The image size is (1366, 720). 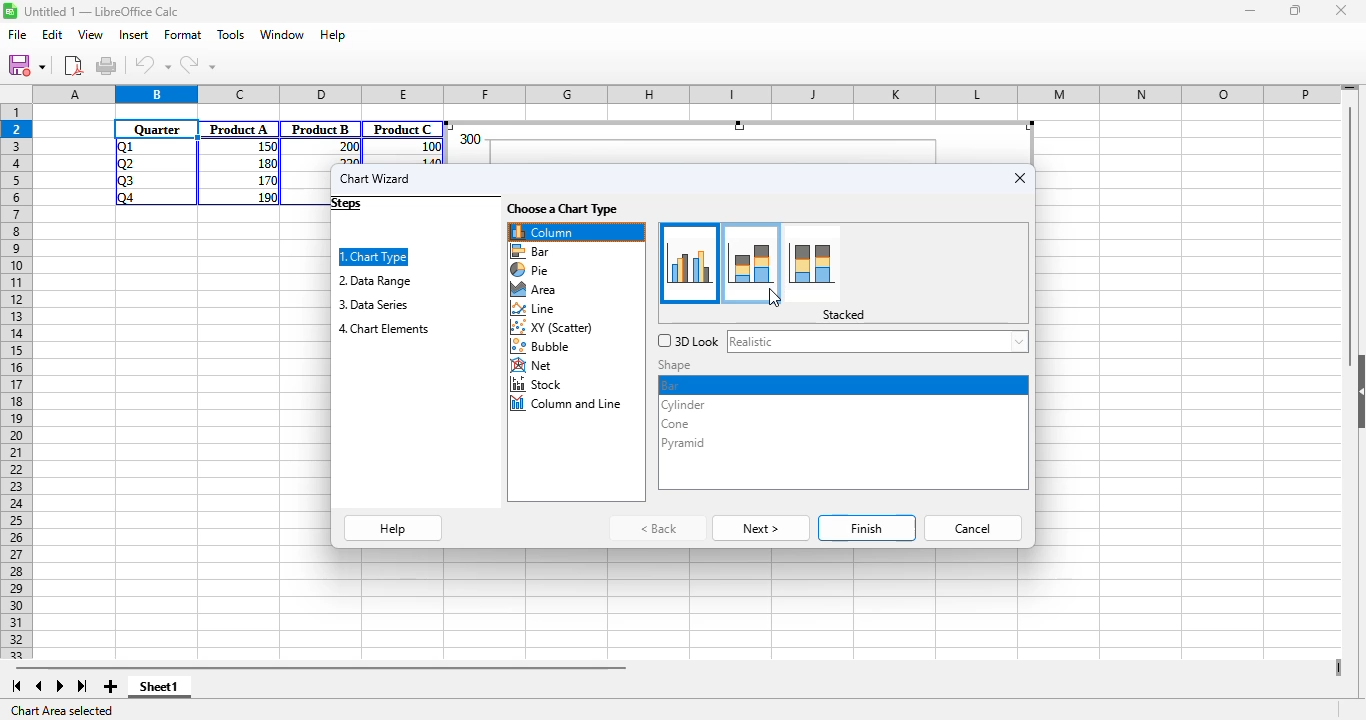 I want to click on 150, so click(x=265, y=147).